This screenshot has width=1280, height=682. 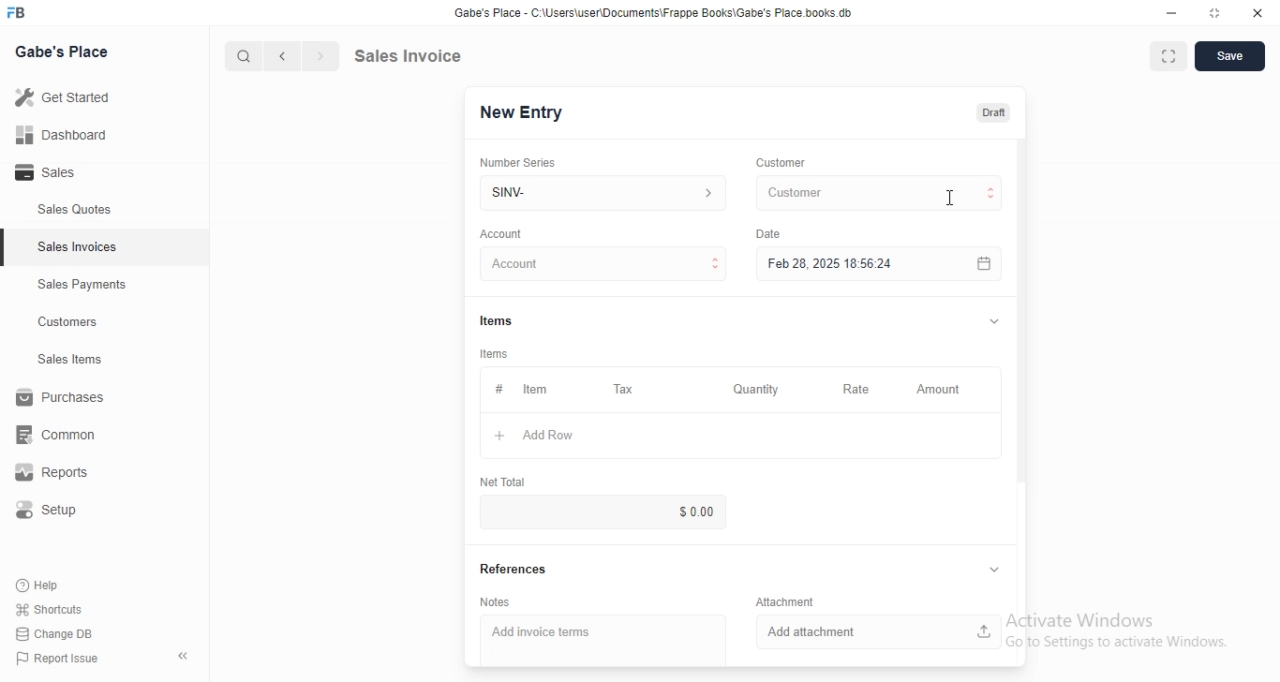 I want to click on collapse, so click(x=990, y=570).